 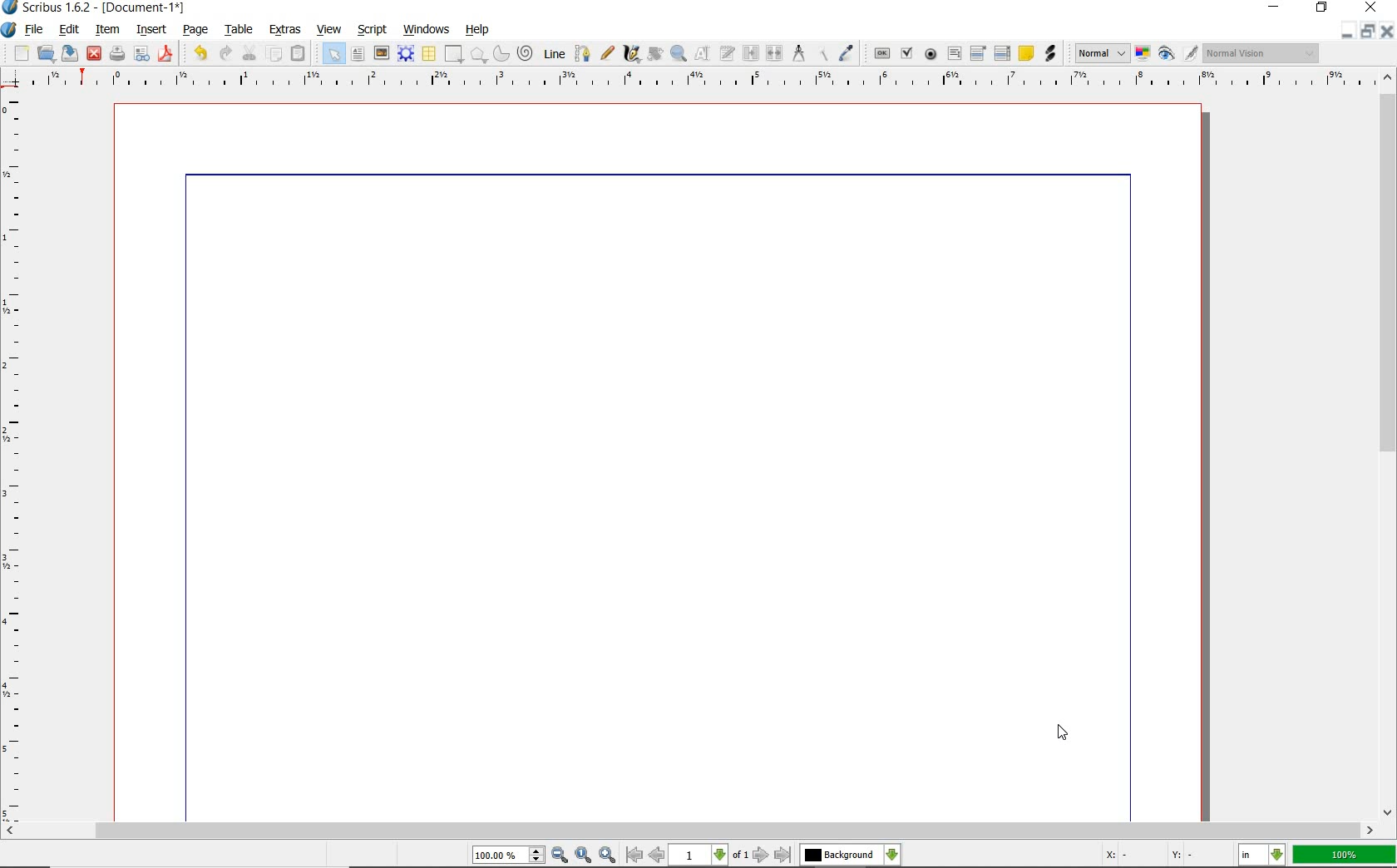 What do you see at coordinates (931, 54) in the screenshot?
I see `pdf radio button` at bounding box center [931, 54].